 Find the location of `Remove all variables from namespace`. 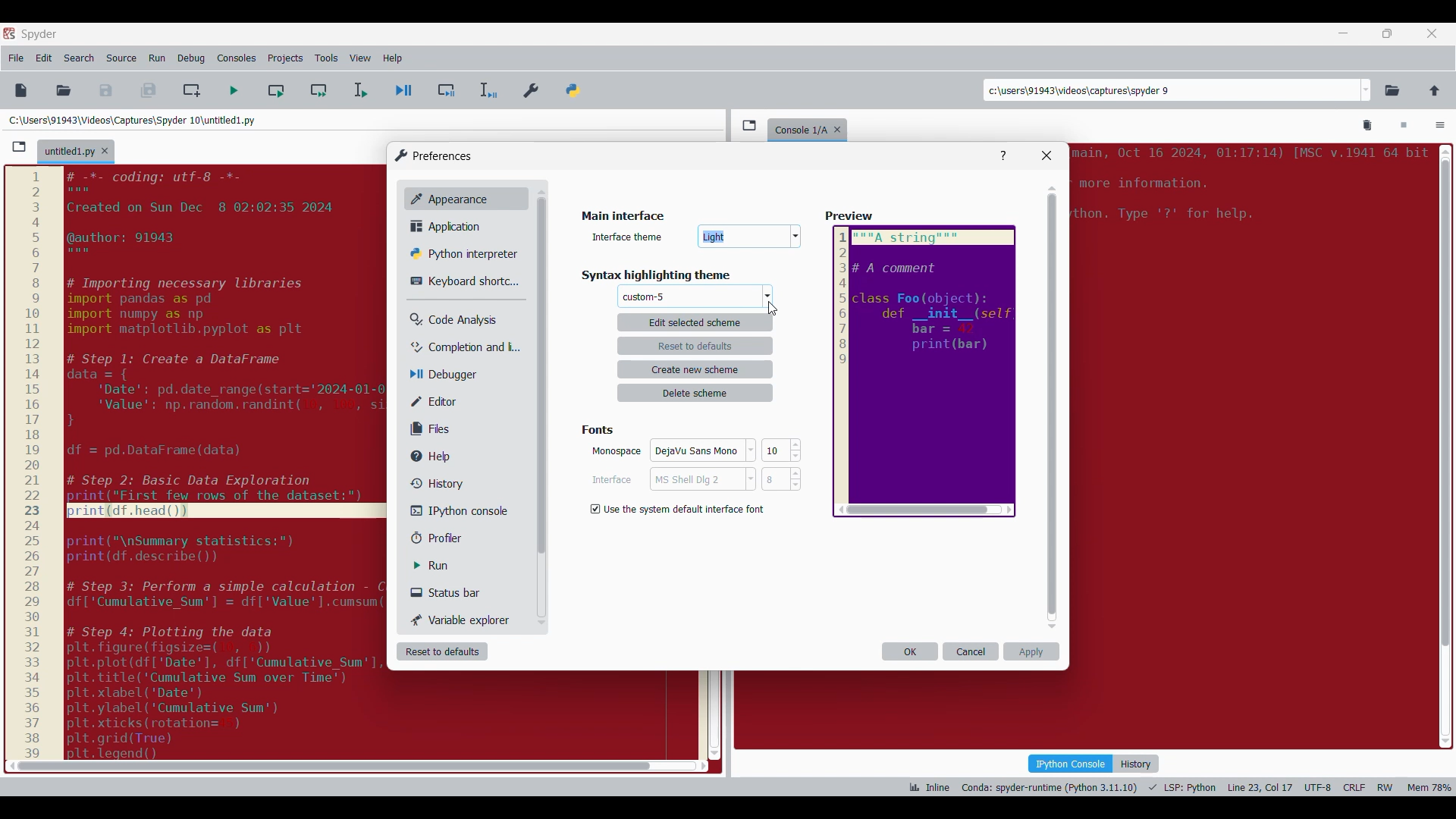

Remove all variables from namespace is located at coordinates (1368, 126).